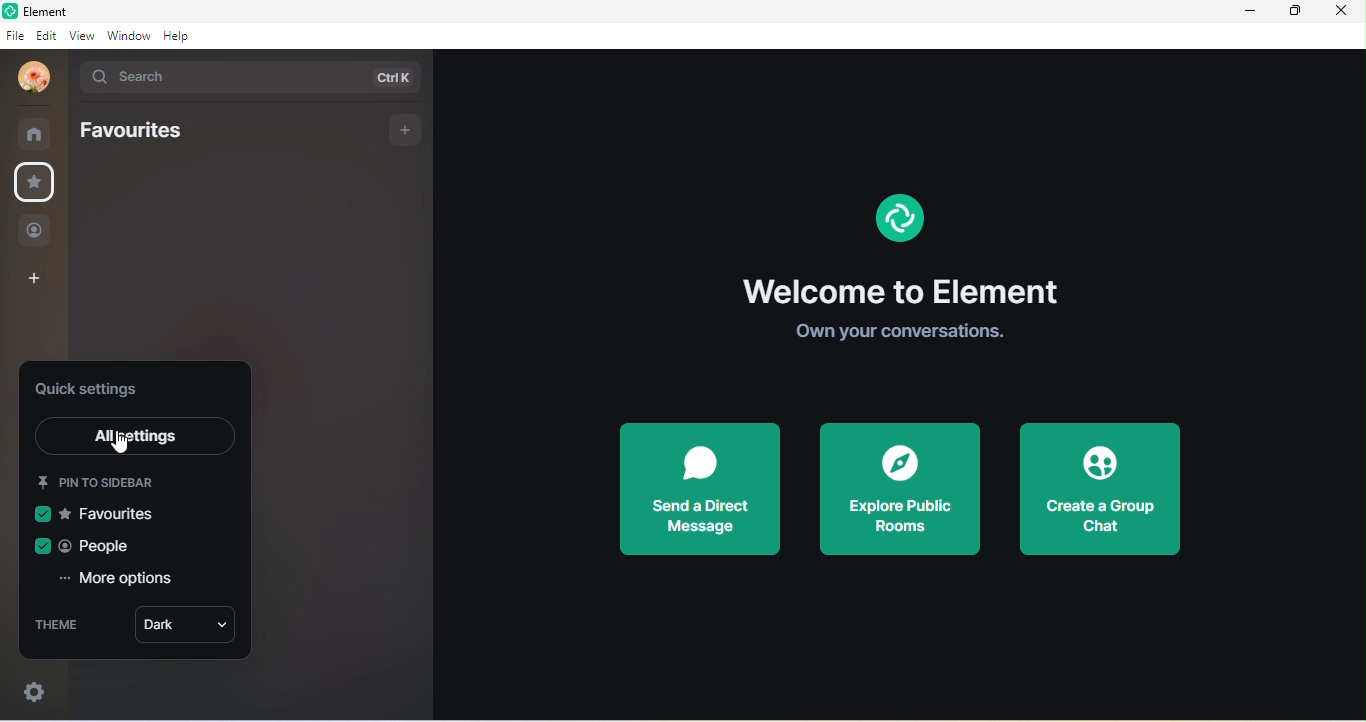 Image resolution: width=1366 pixels, height=722 pixels. Describe the element at coordinates (95, 544) in the screenshot. I see `people` at that location.